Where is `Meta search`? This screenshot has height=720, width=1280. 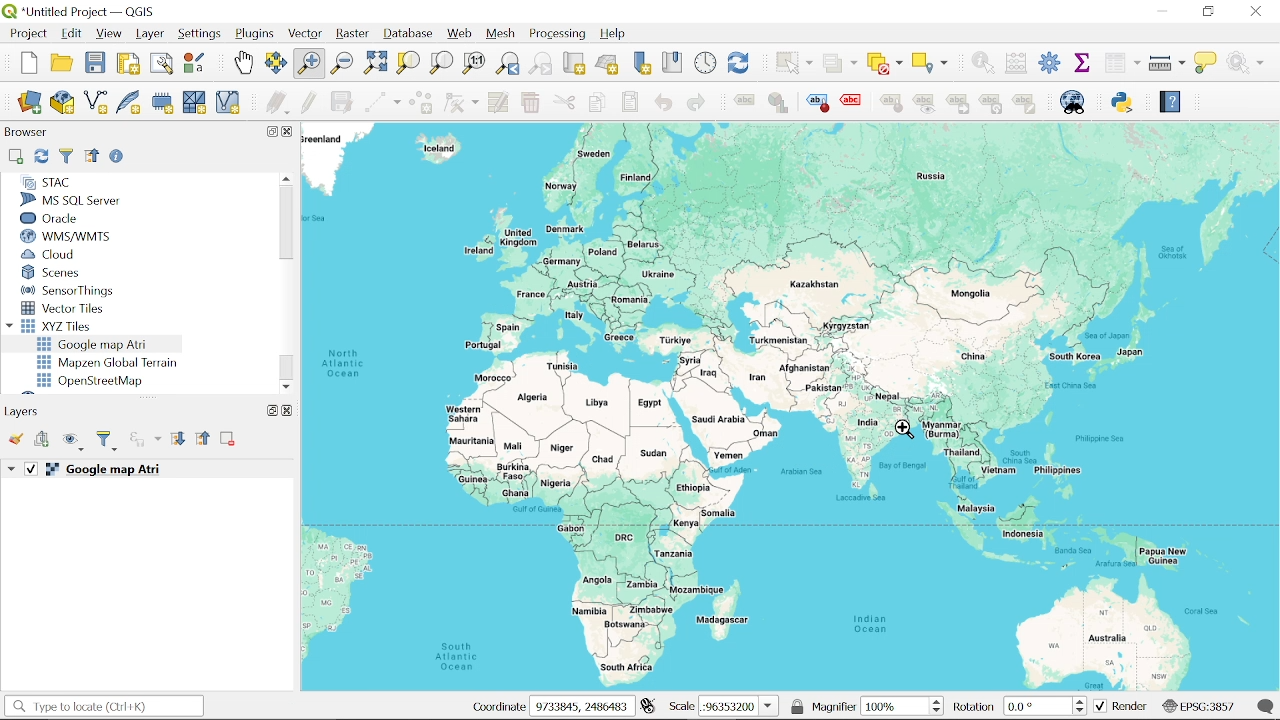
Meta search is located at coordinates (1073, 102).